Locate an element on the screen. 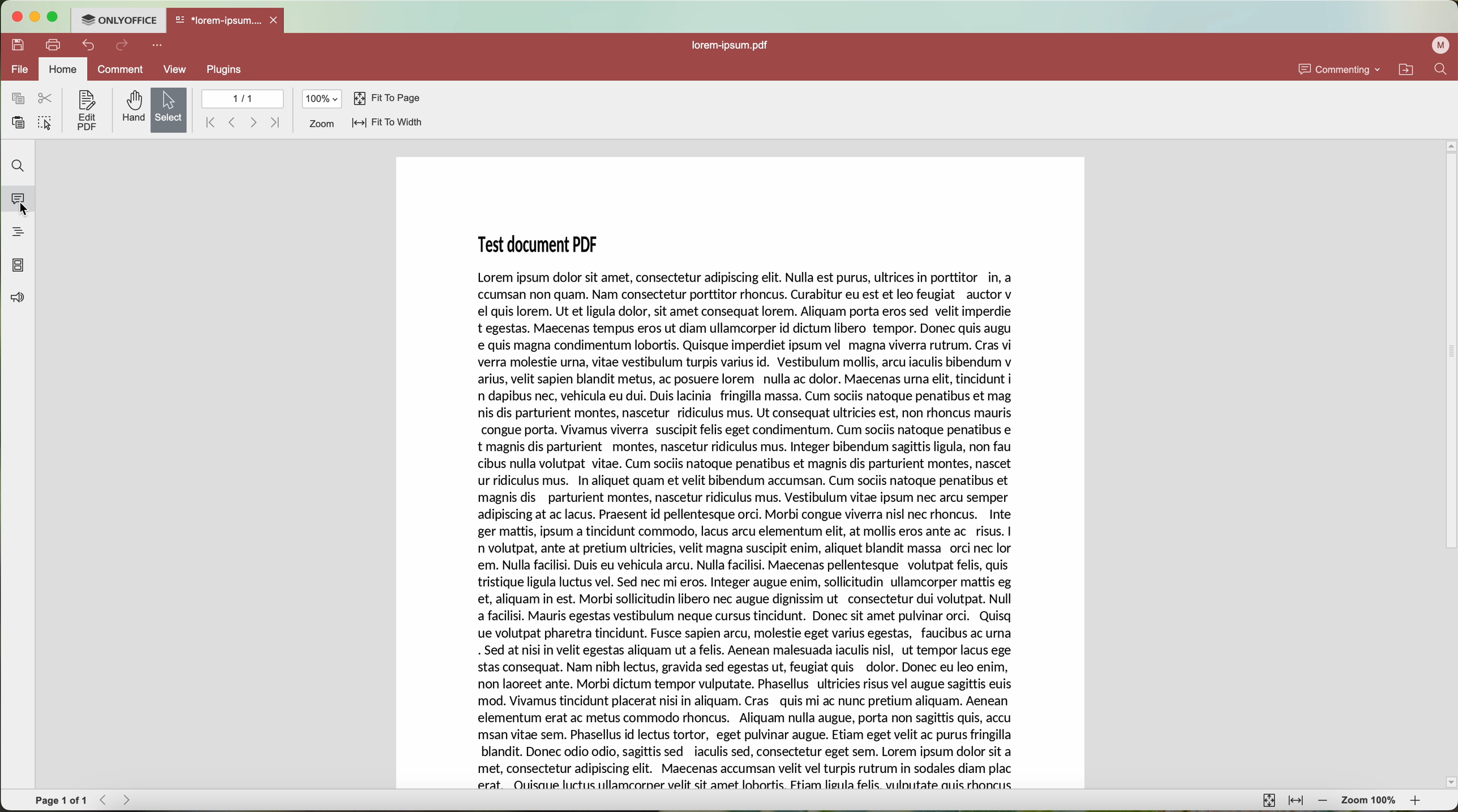 The height and width of the screenshot is (812, 1458). close program is located at coordinates (15, 18).